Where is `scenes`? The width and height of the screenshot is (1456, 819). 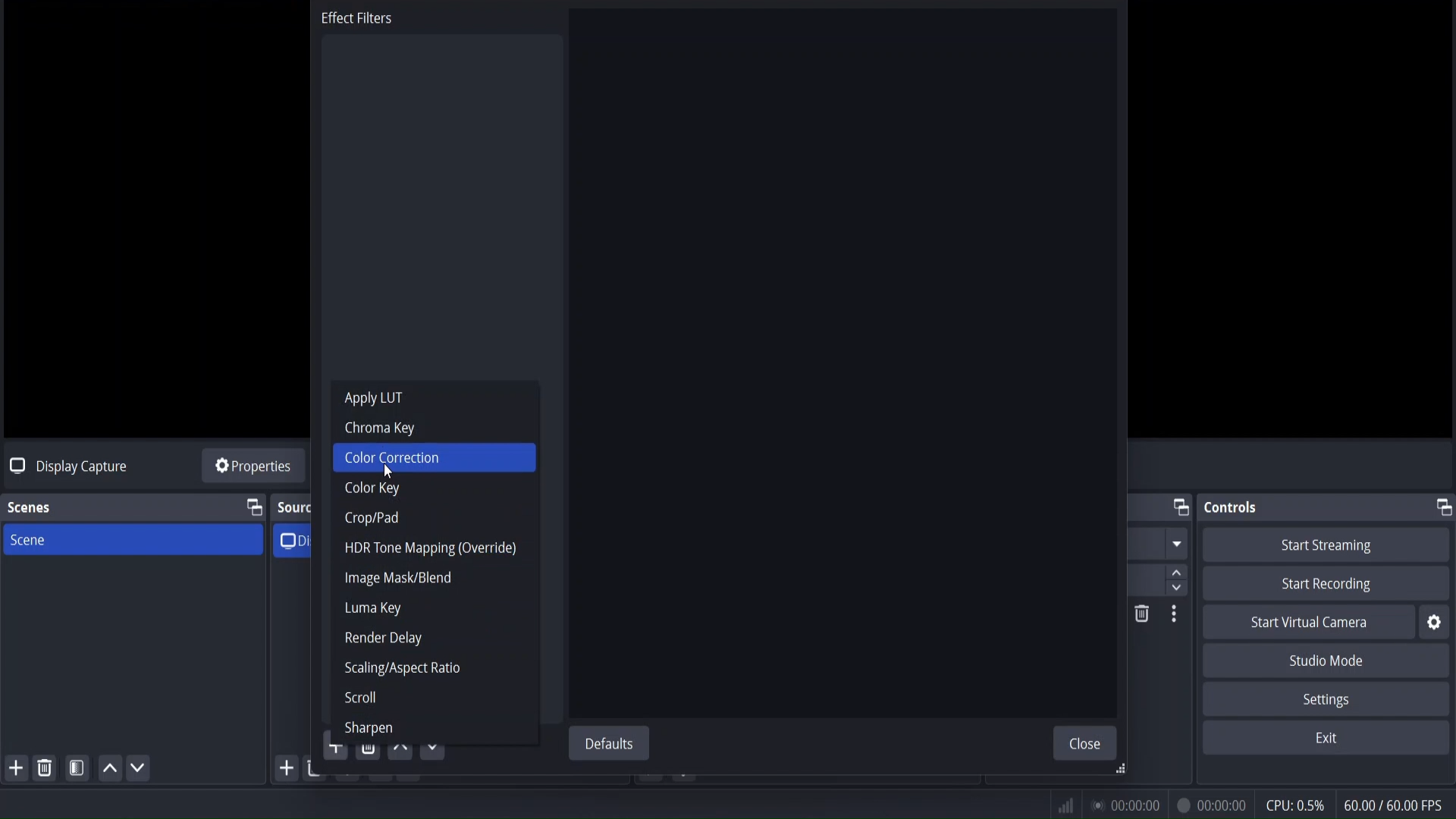 scenes is located at coordinates (30, 508).